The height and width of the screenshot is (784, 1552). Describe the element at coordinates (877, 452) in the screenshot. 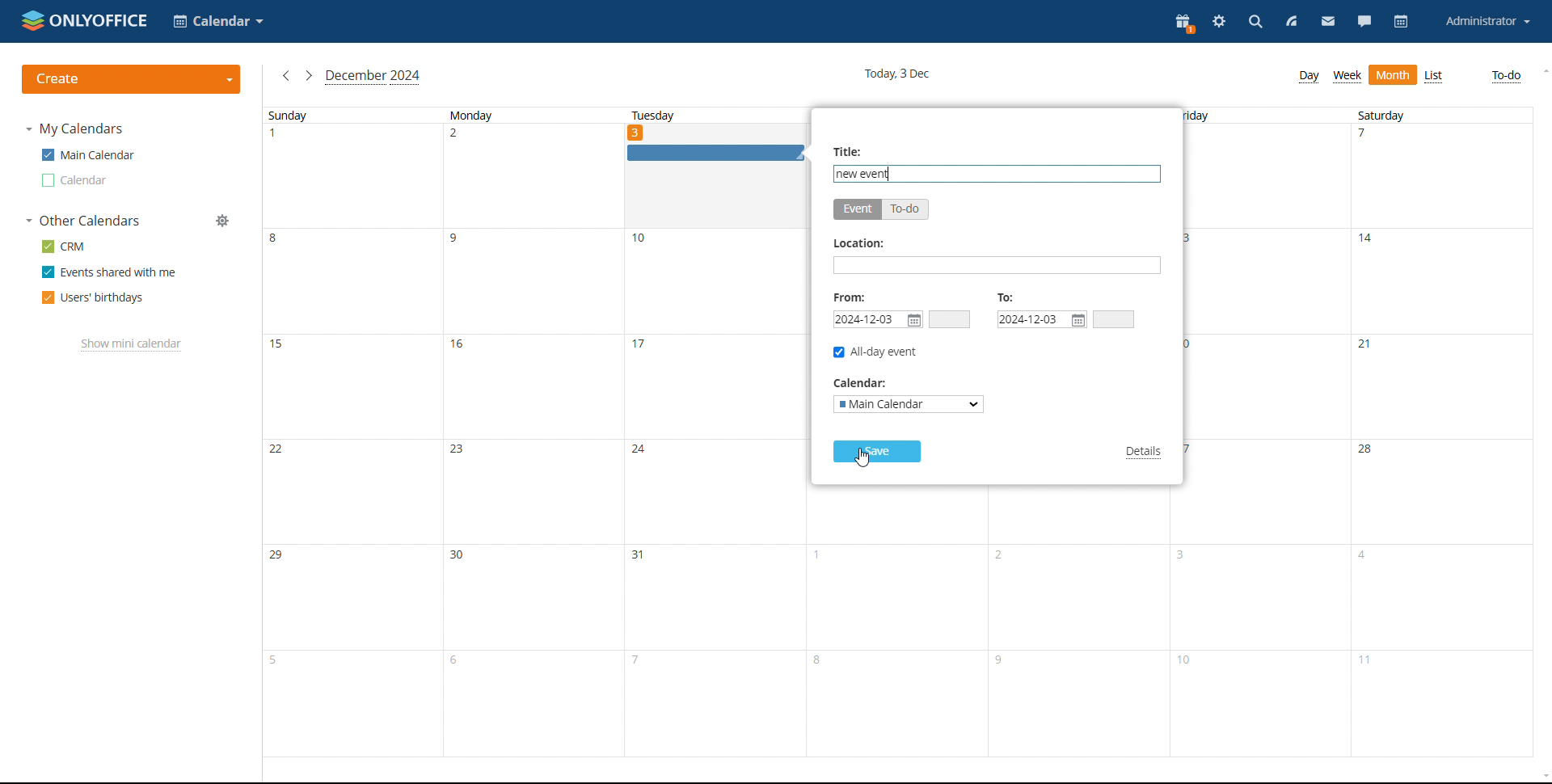

I see `save` at that location.